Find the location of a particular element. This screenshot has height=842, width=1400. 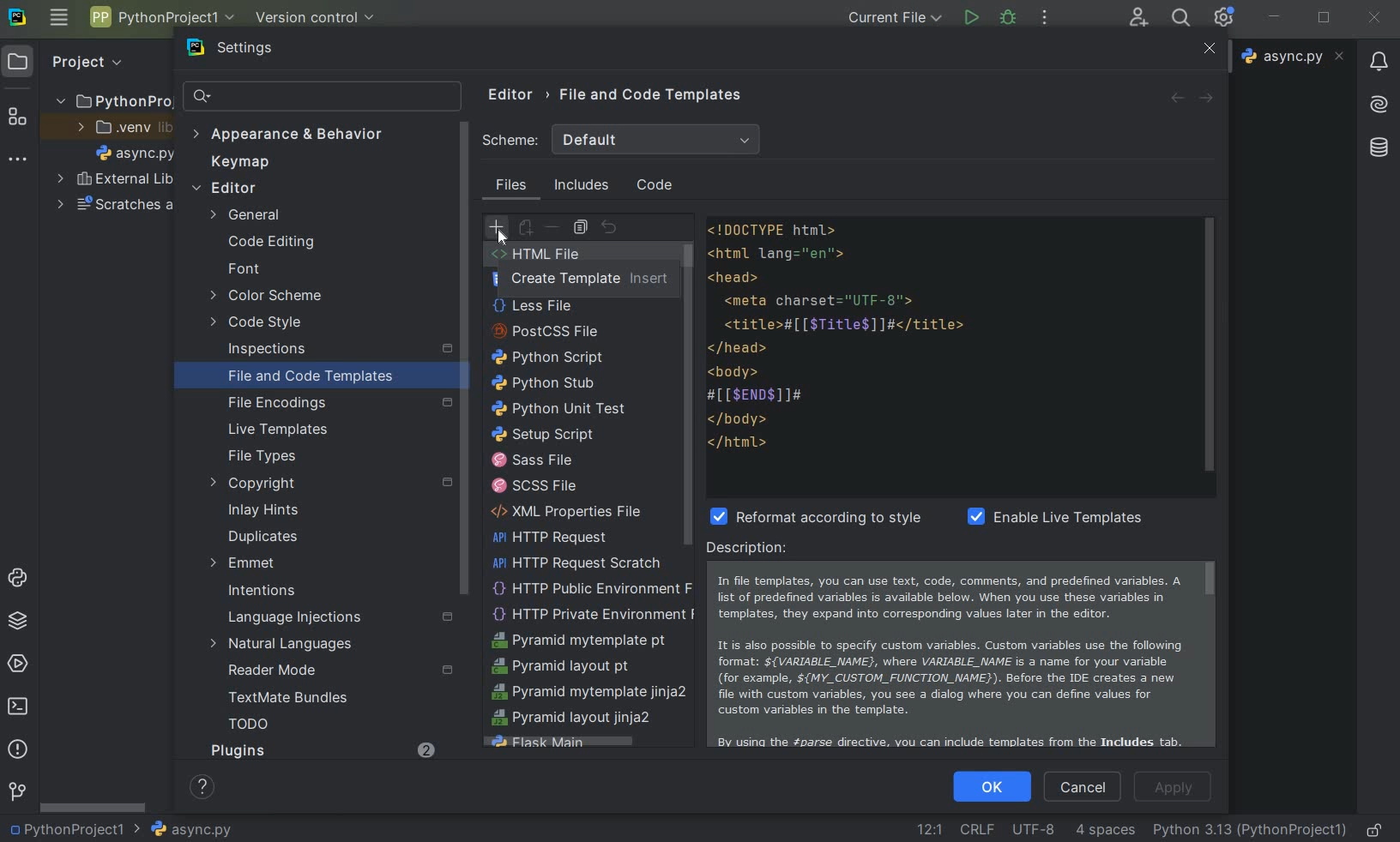

scss file is located at coordinates (534, 486).